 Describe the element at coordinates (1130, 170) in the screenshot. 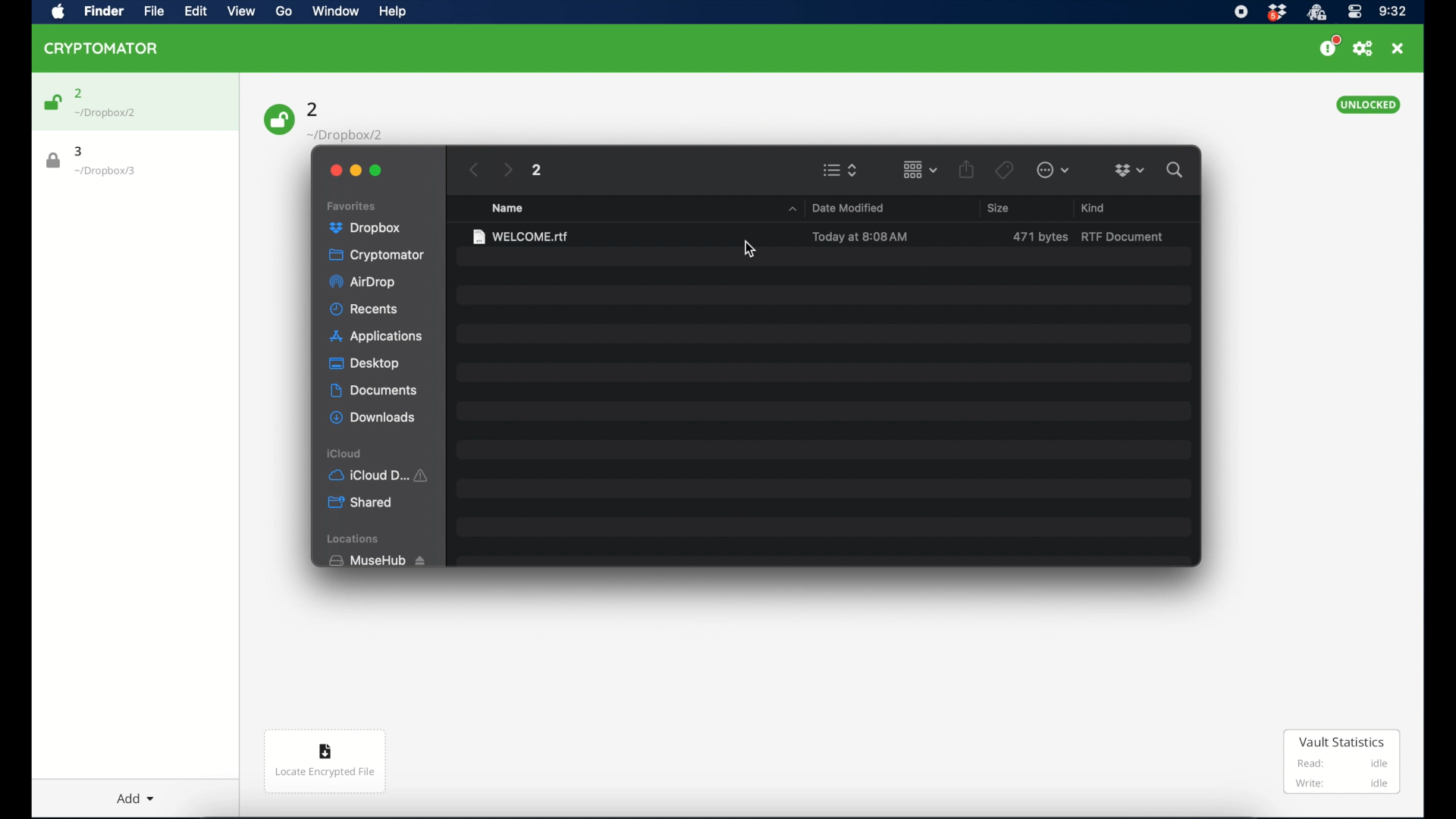

I see `dropbox` at that location.